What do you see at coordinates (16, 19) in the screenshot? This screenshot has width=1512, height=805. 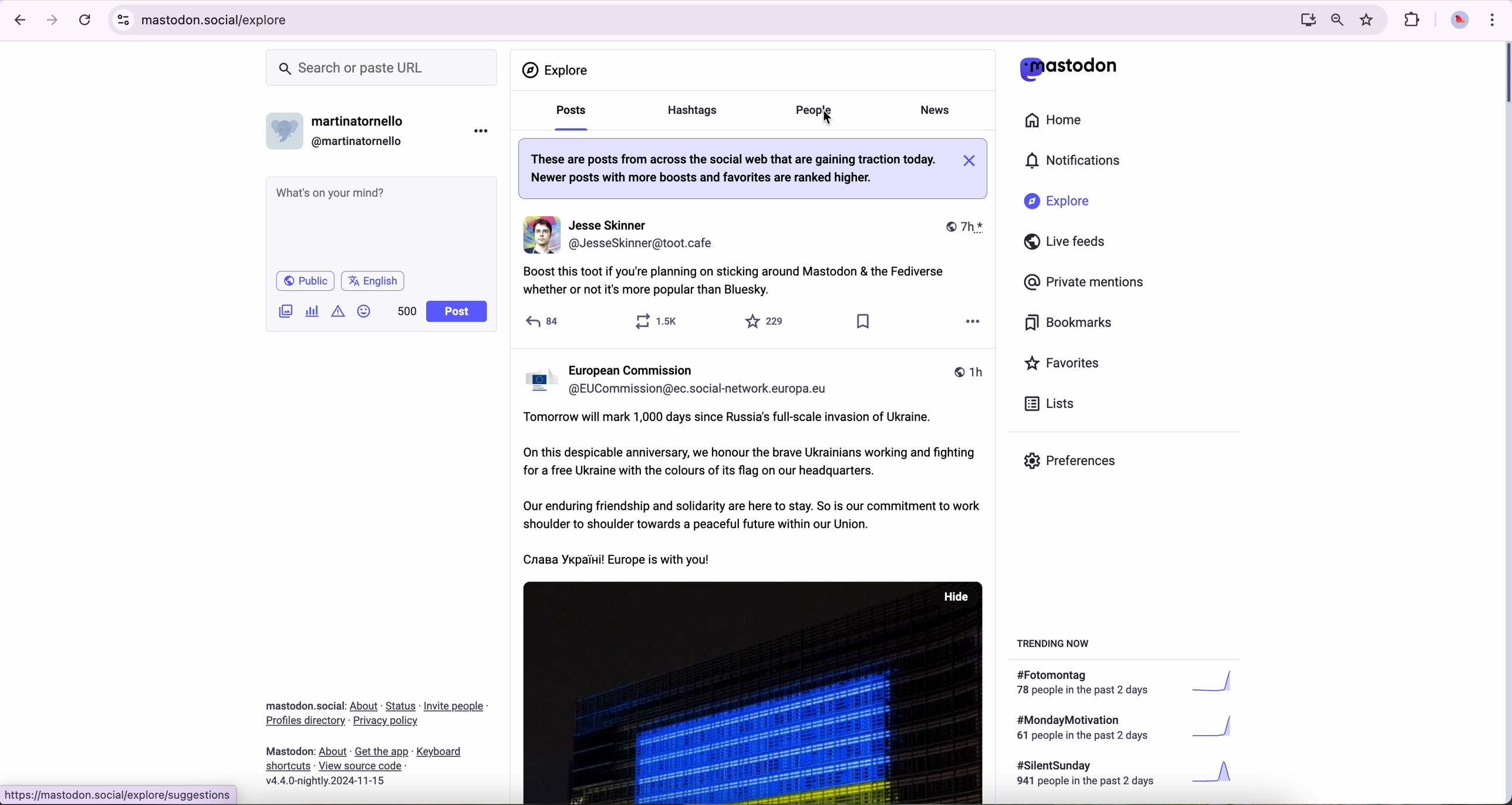 I see `navigate back` at bounding box center [16, 19].